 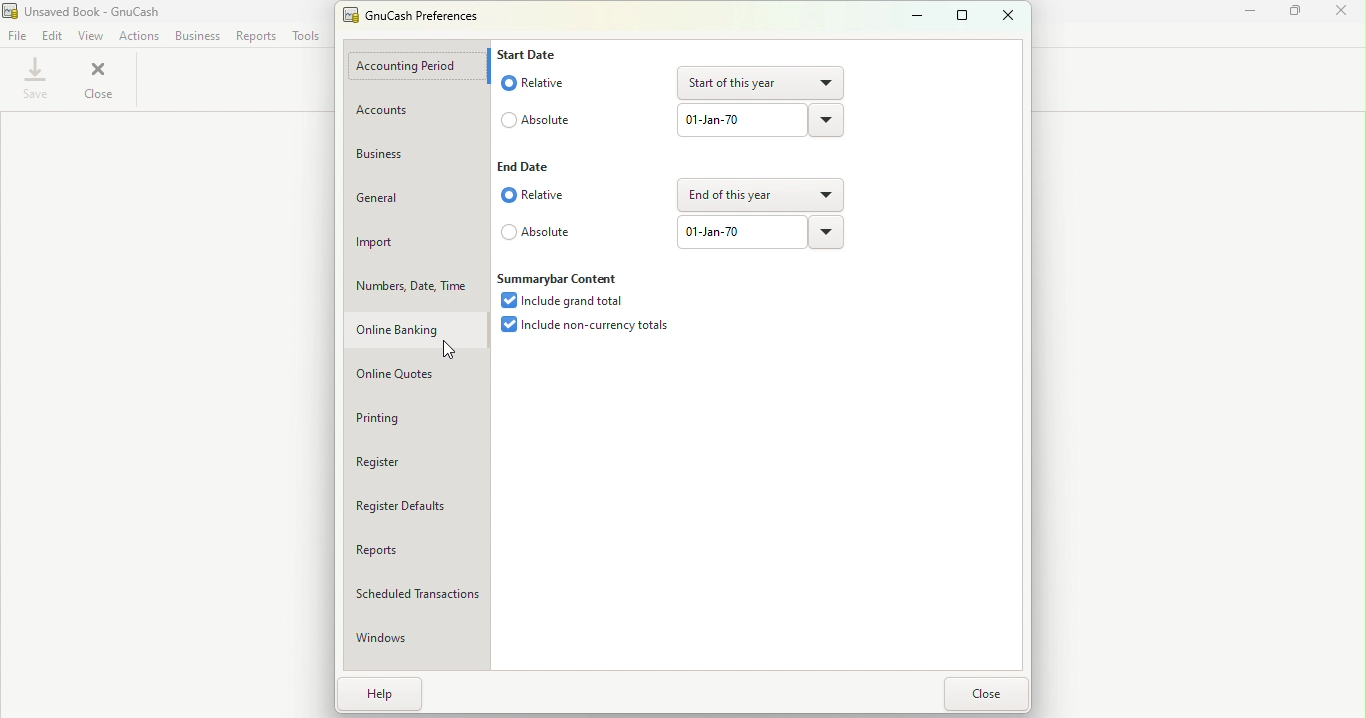 I want to click on End date, so click(x=534, y=166).